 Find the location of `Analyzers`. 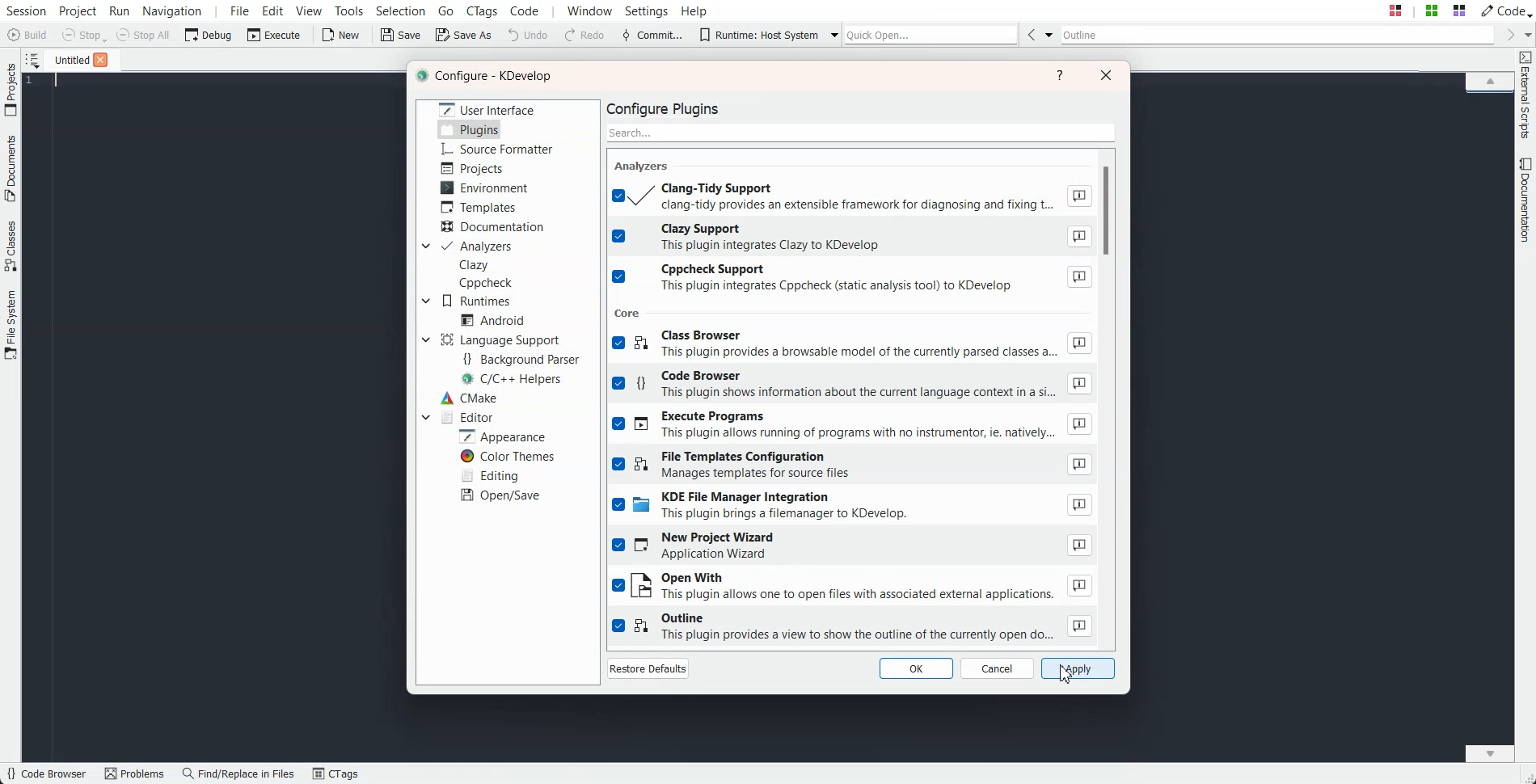

Analyzers is located at coordinates (477, 247).